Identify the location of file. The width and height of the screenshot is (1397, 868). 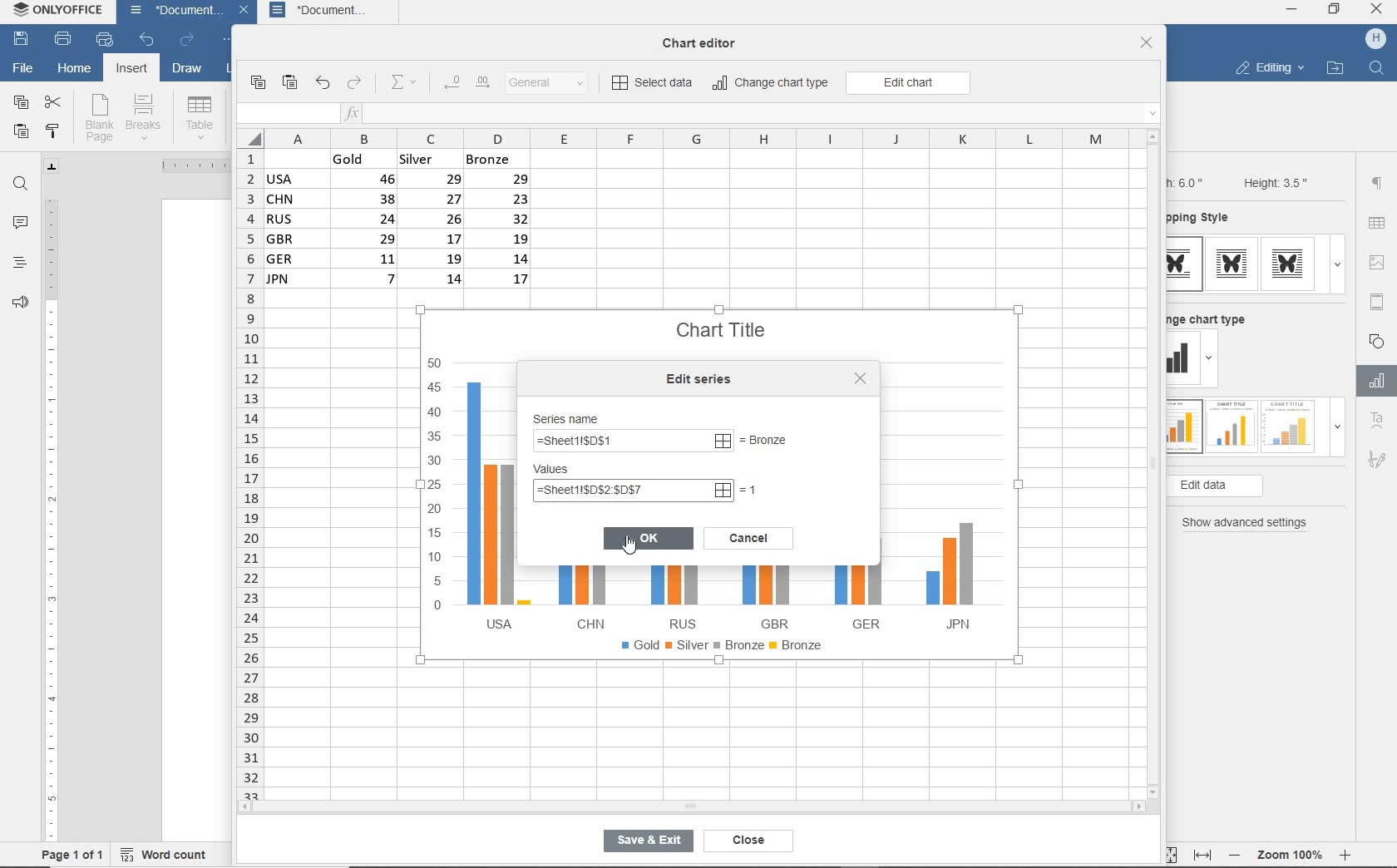
(22, 67).